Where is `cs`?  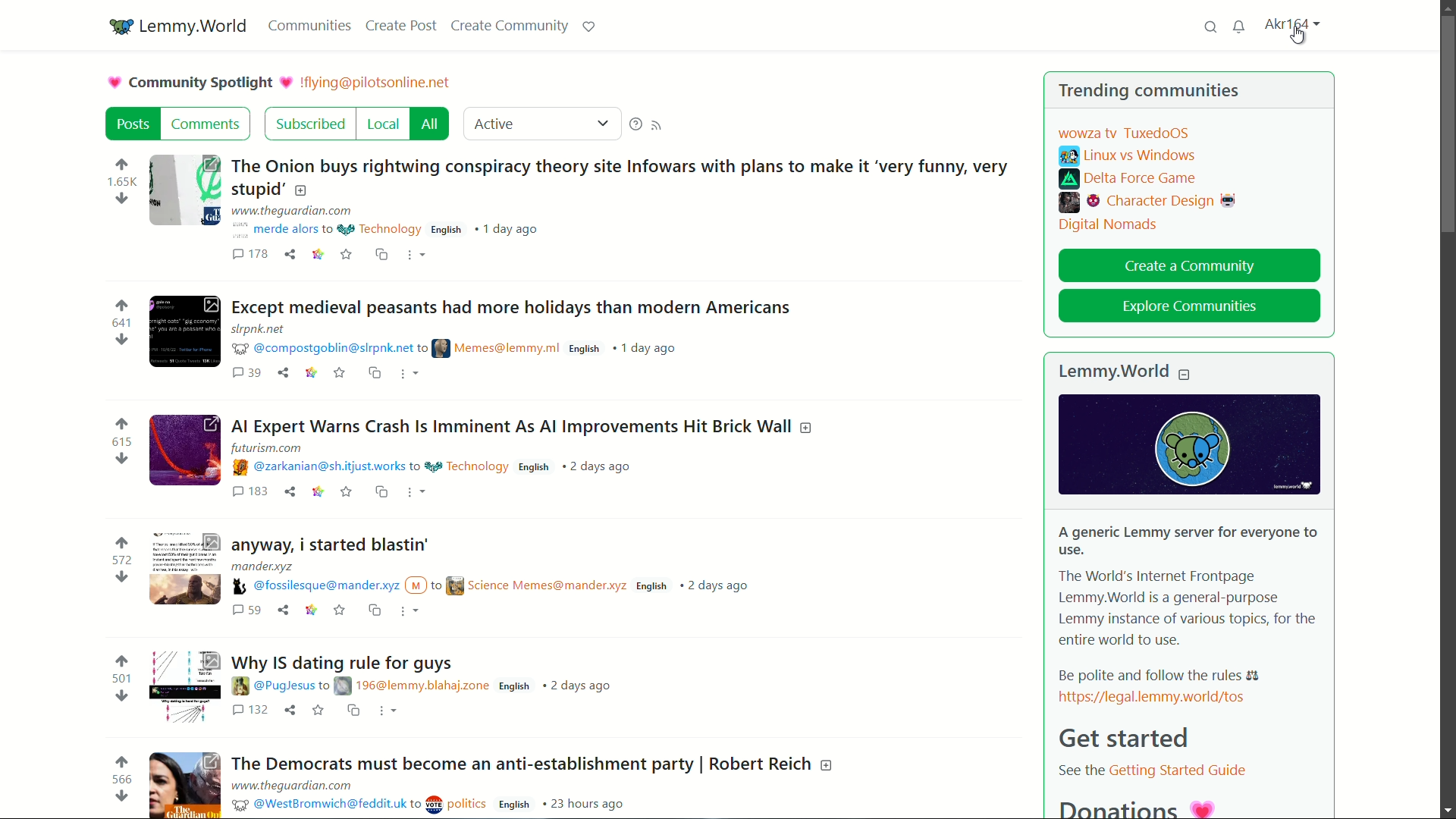
cs is located at coordinates (375, 370).